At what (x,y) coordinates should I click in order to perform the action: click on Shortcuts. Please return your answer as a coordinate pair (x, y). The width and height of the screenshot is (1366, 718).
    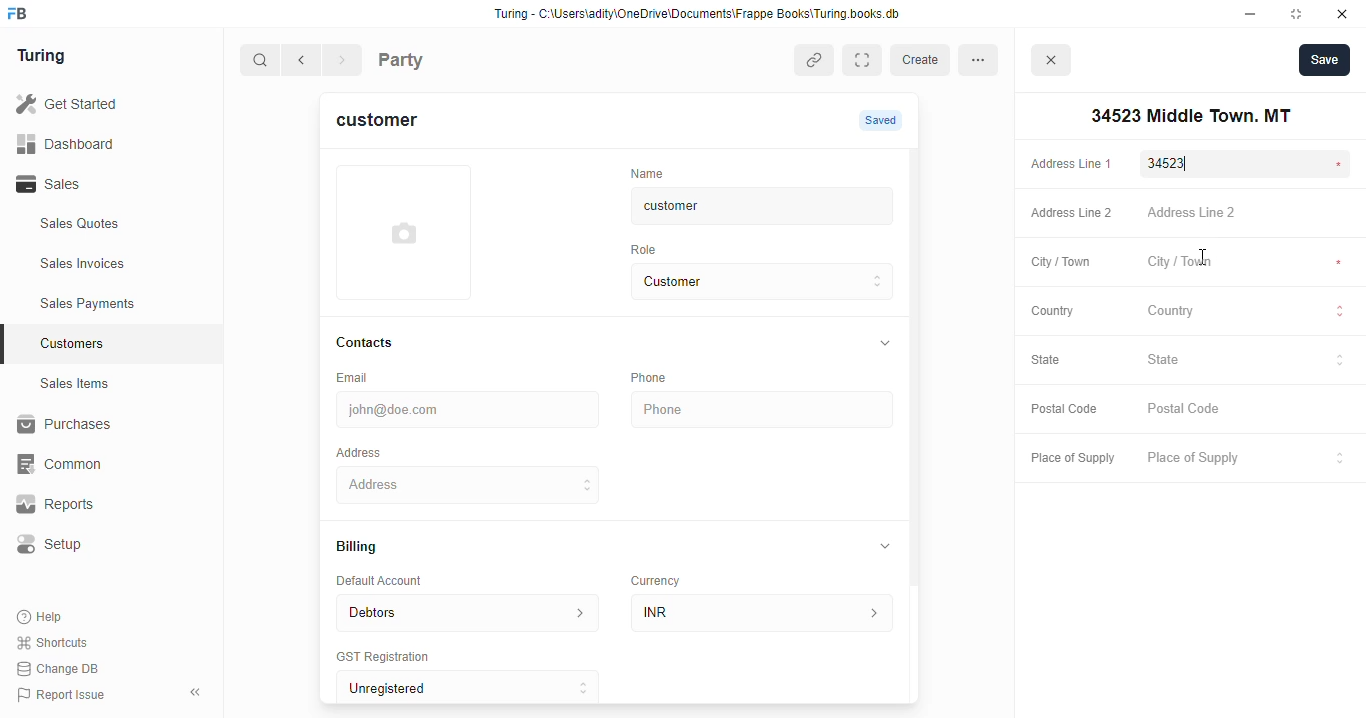
    Looking at the image, I should click on (58, 643).